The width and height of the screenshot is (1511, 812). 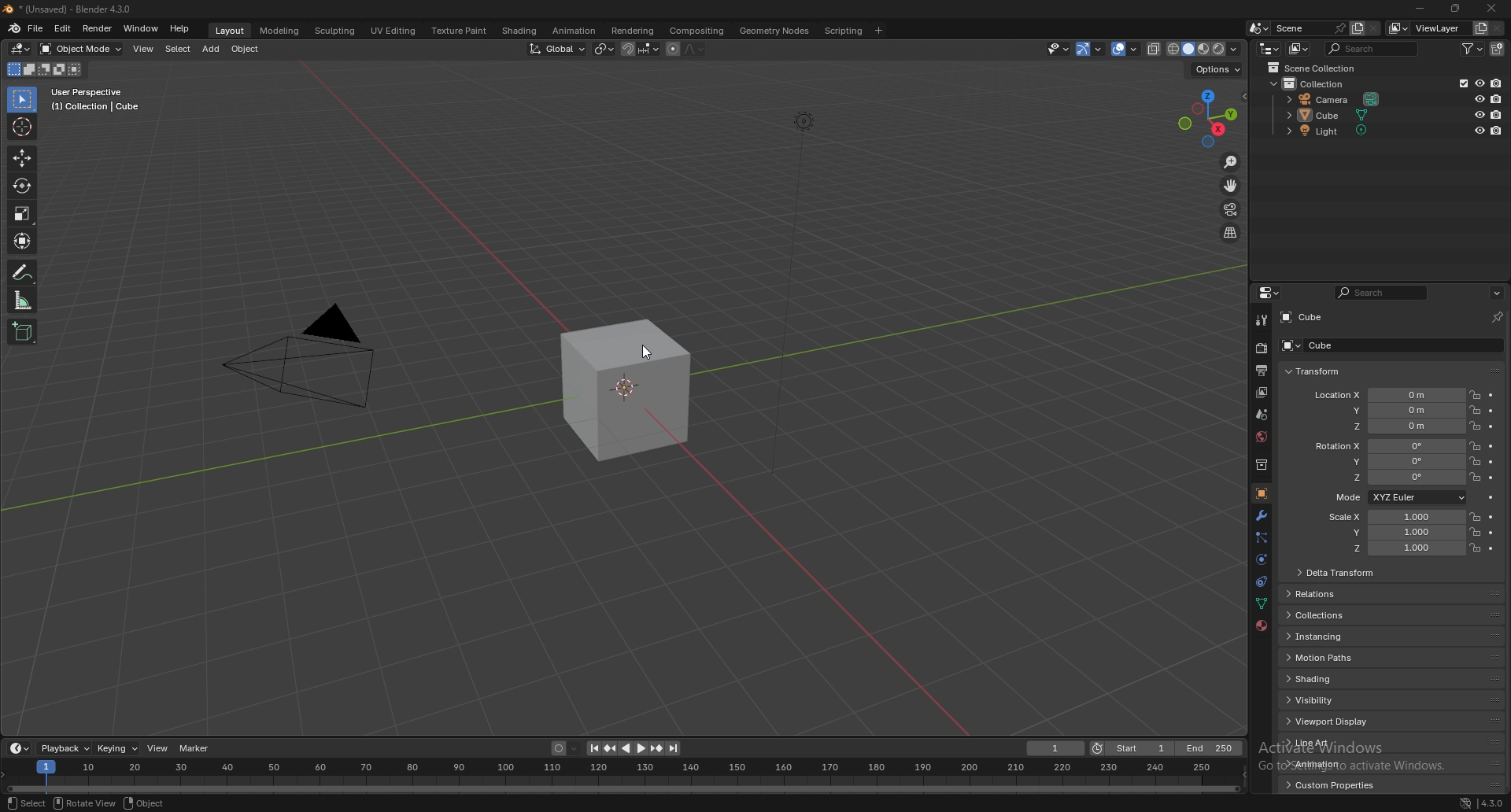 What do you see at coordinates (1394, 478) in the screenshot?
I see `rotation z` at bounding box center [1394, 478].